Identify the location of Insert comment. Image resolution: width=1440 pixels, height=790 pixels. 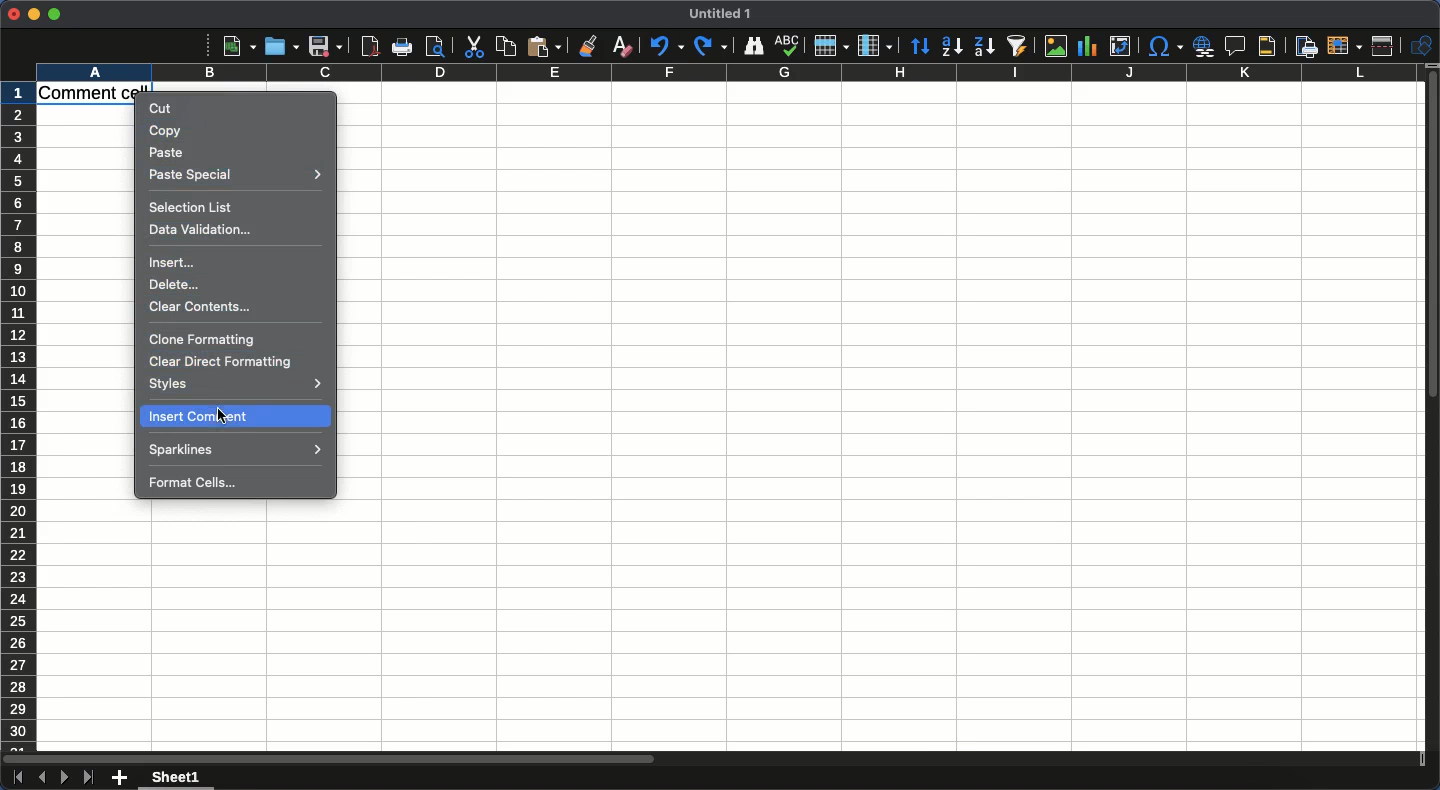
(1235, 44).